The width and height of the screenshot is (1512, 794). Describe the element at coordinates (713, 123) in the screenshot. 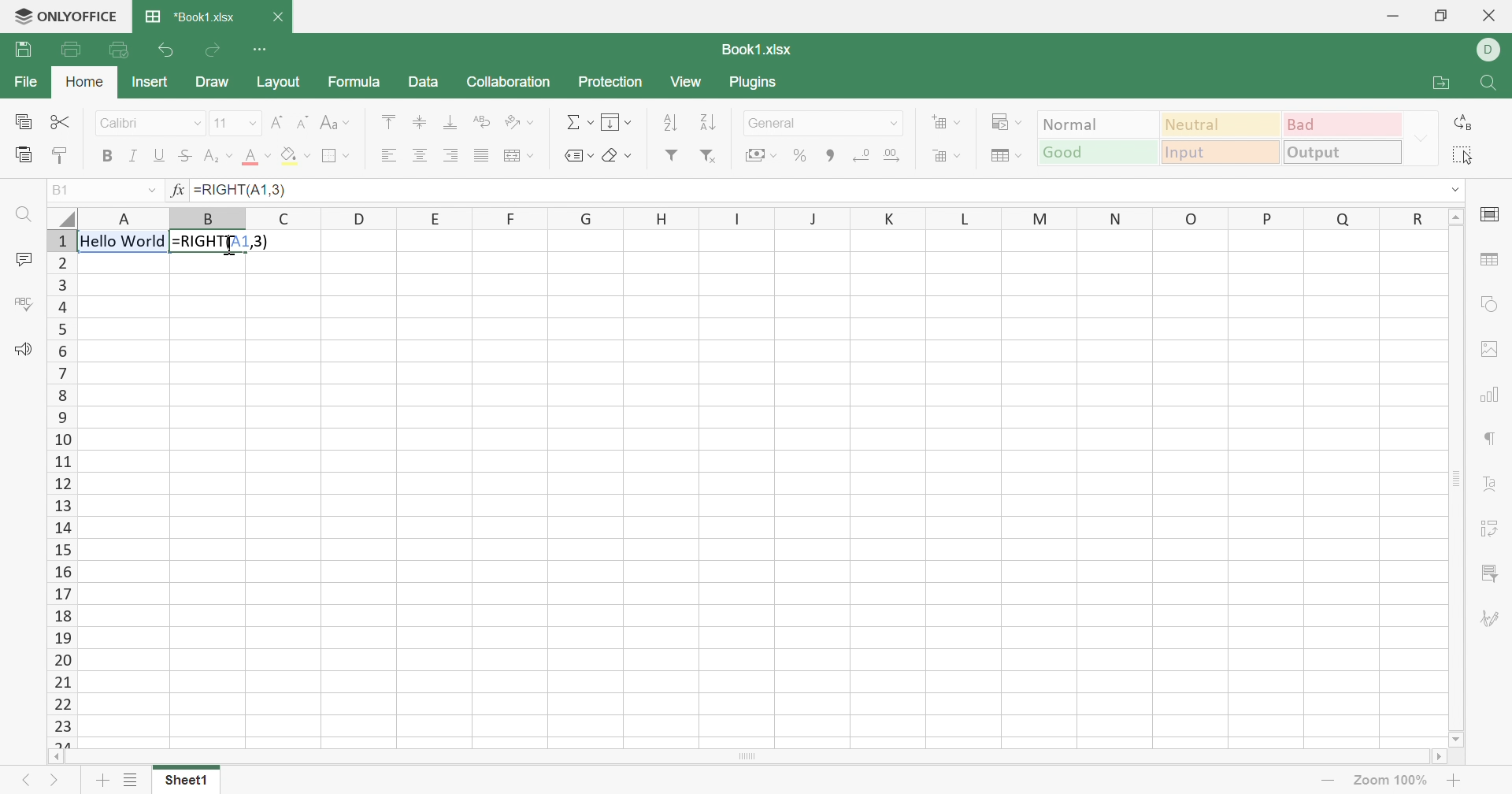

I see `Sort descending` at that location.